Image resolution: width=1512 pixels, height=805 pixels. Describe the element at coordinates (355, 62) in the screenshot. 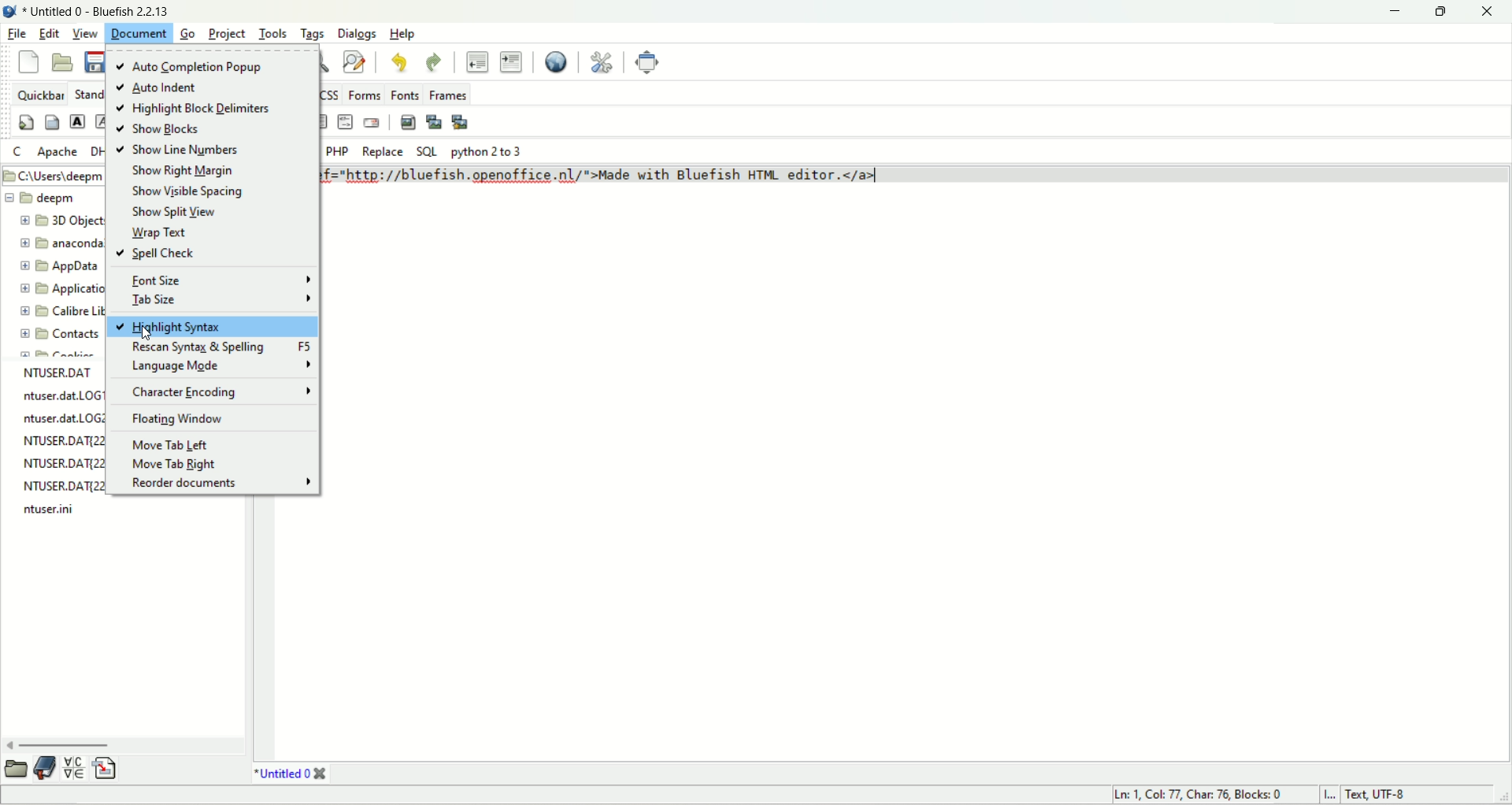

I see `advanced find and replace` at that location.